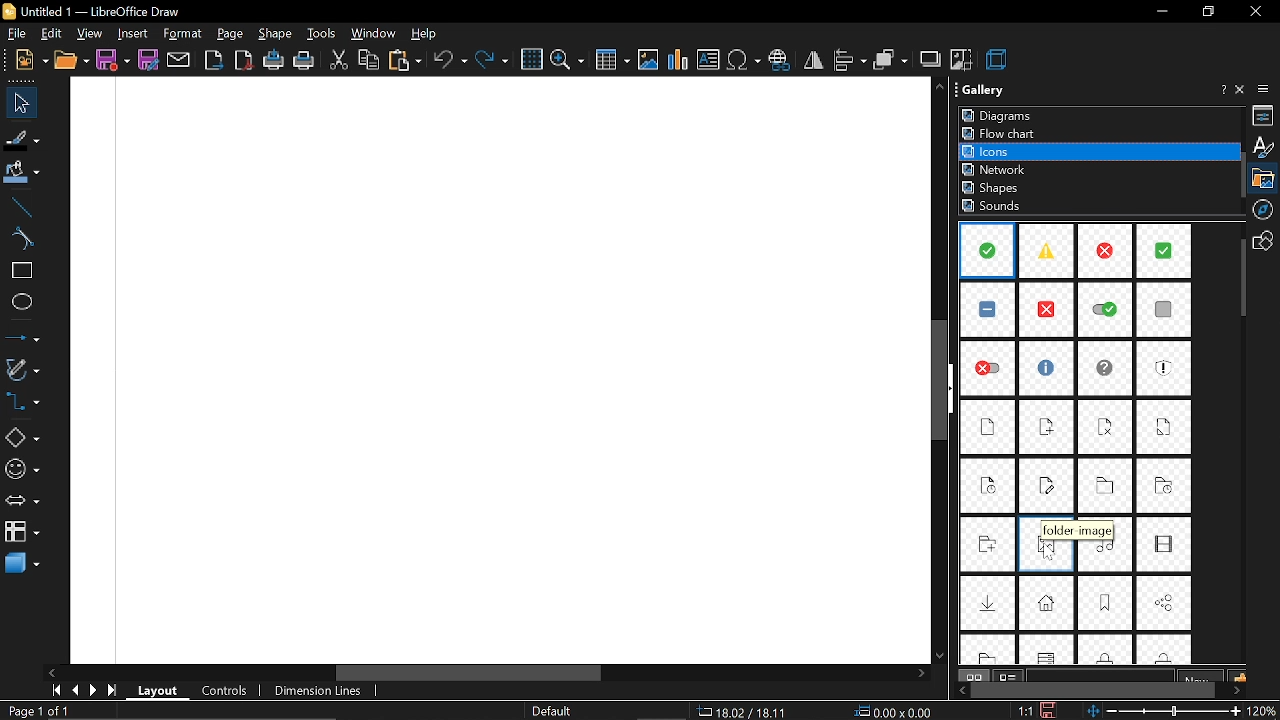 The image size is (1280, 720). I want to click on Default, so click(555, 711).